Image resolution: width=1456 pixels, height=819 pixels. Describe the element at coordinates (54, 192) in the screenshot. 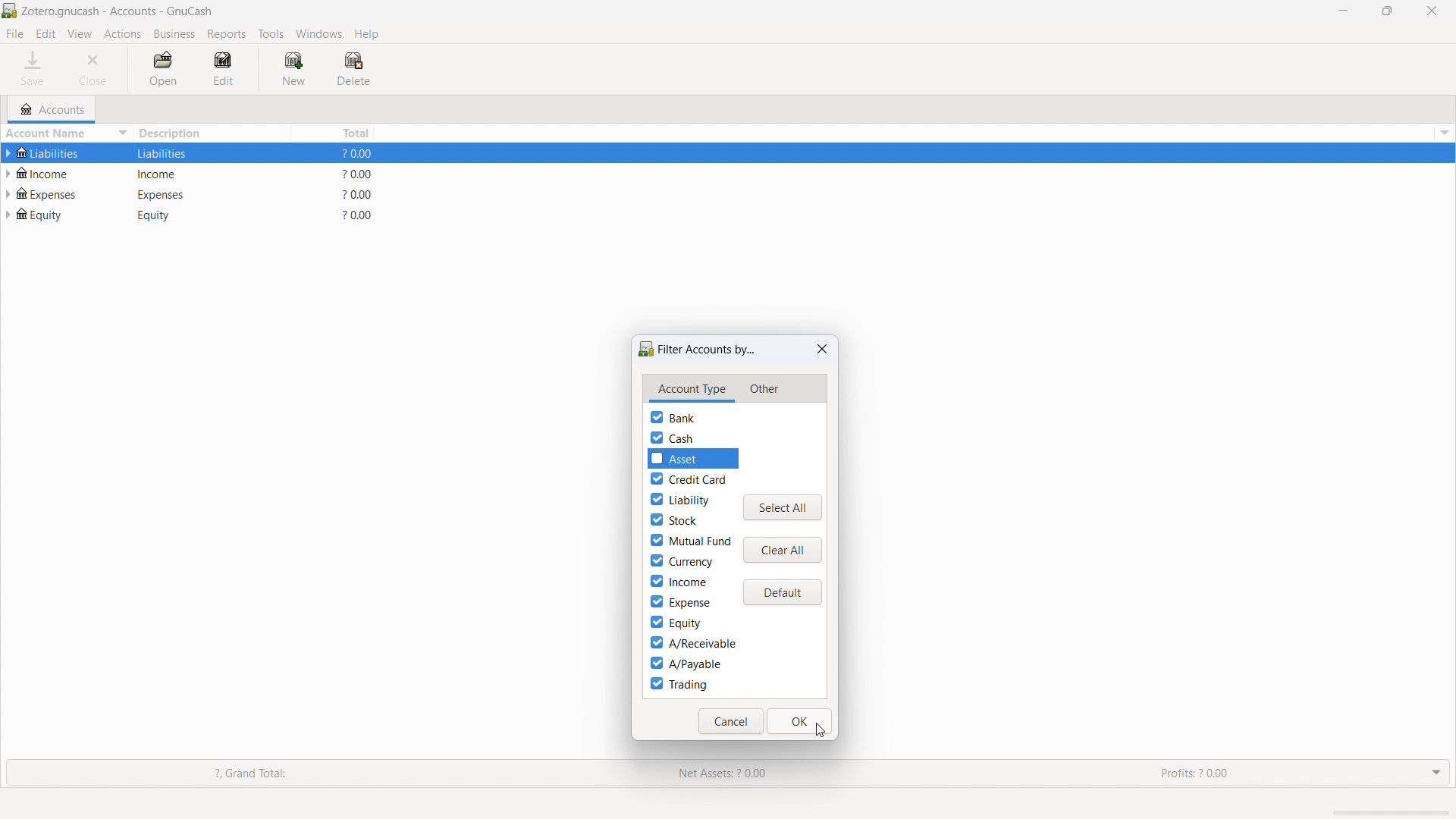

I see `expenses` at that location.